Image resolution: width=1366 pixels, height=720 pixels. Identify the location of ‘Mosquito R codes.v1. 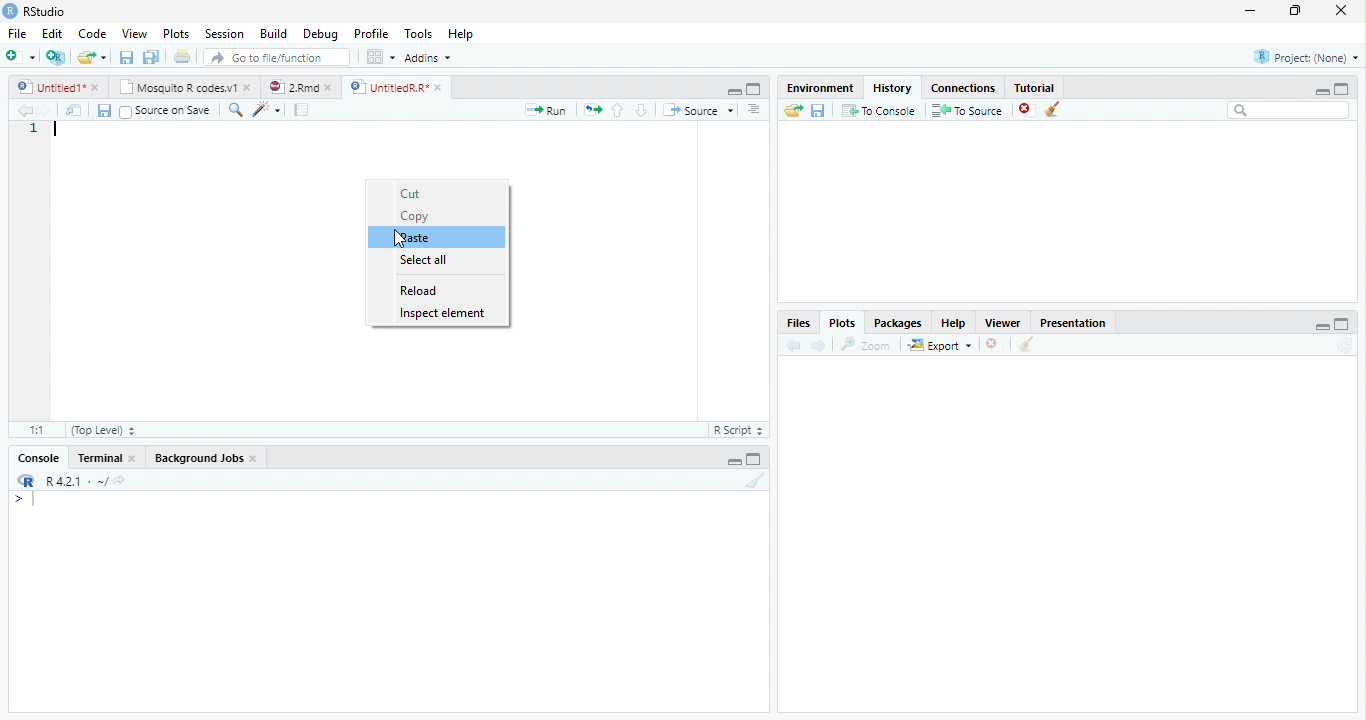
(178, 87).